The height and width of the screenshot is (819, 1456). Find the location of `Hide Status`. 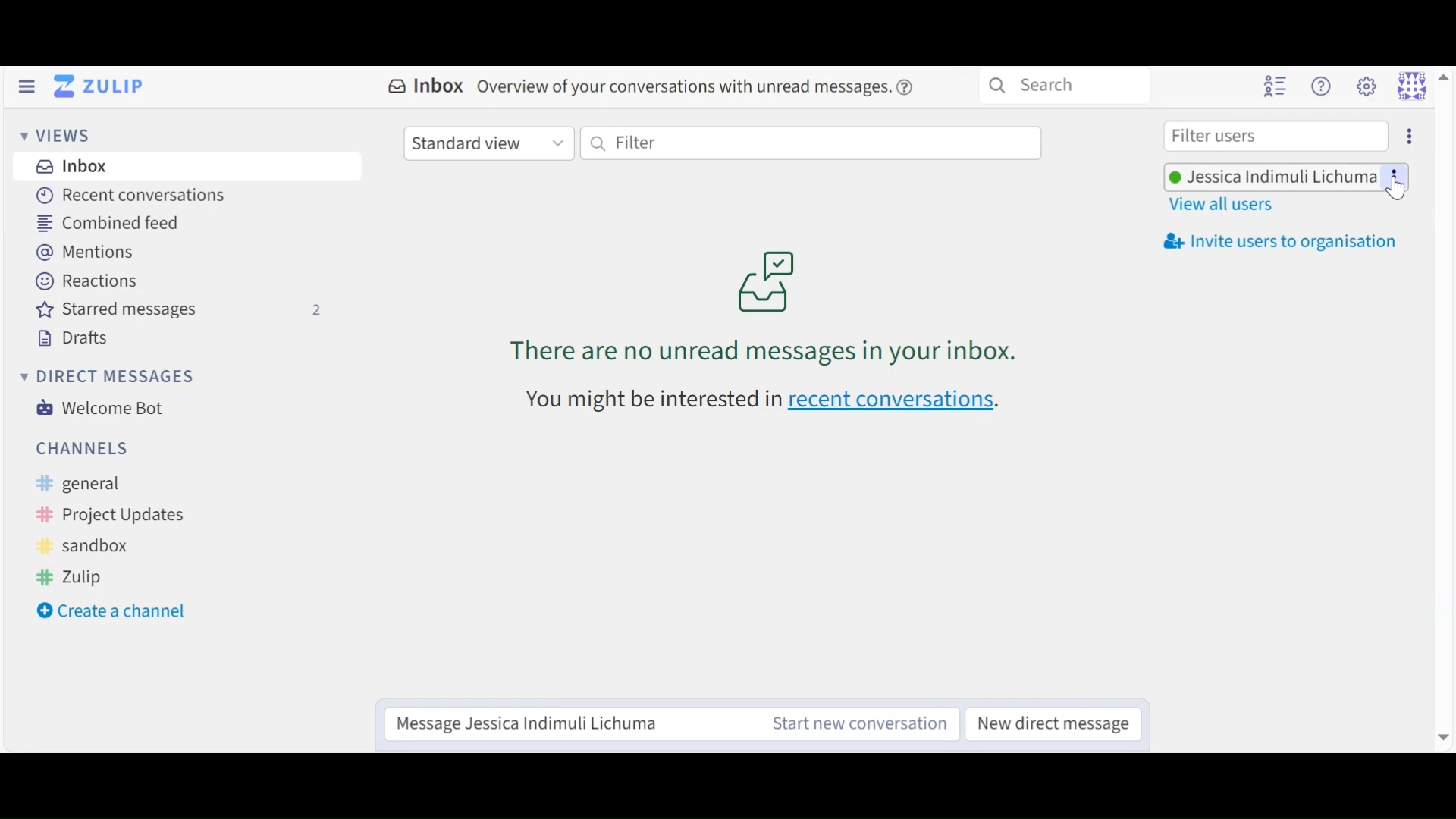

Hide Status is located at coordinates (26, 86).